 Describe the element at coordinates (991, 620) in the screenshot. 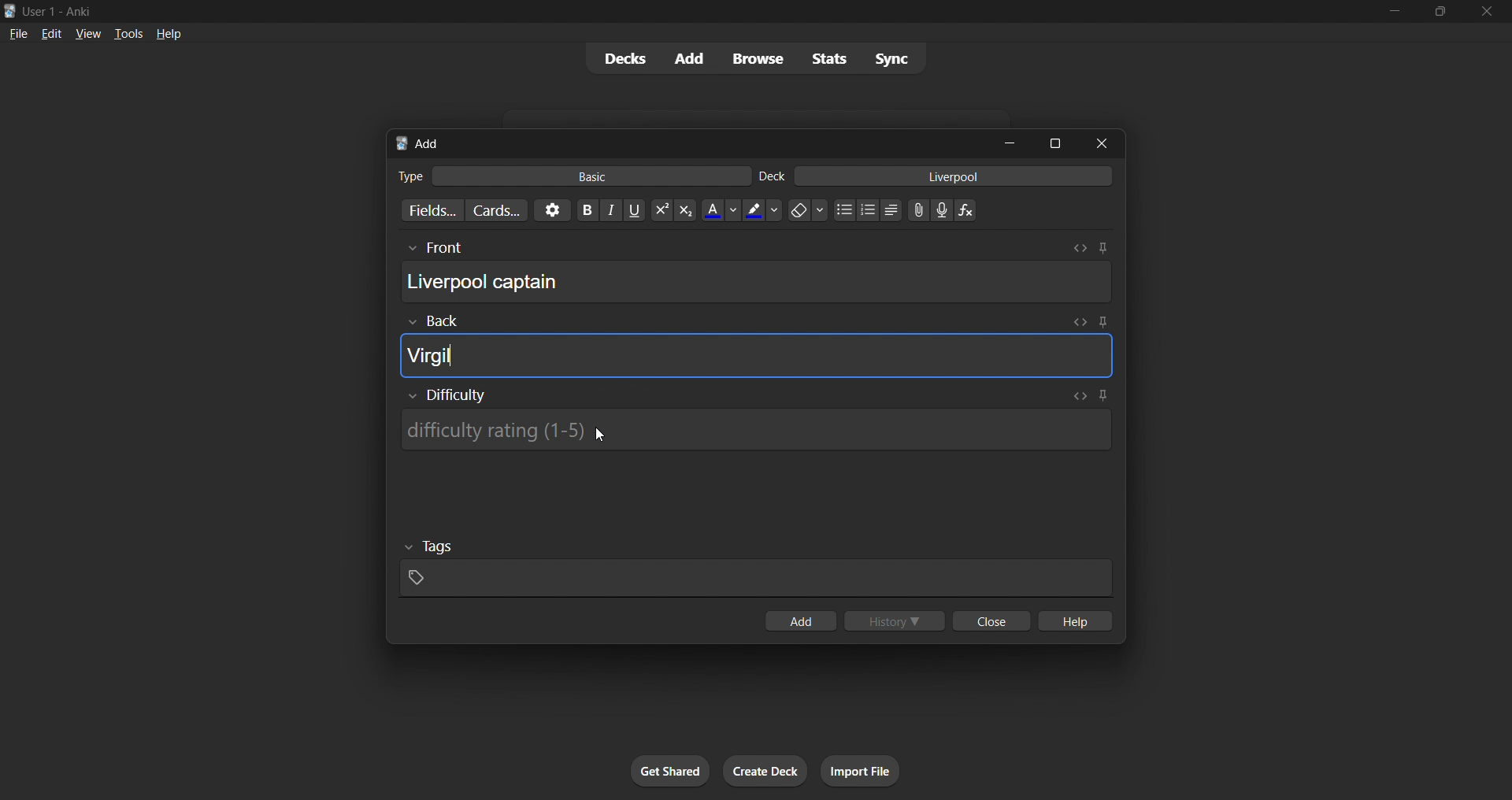

I see `close` at that location.